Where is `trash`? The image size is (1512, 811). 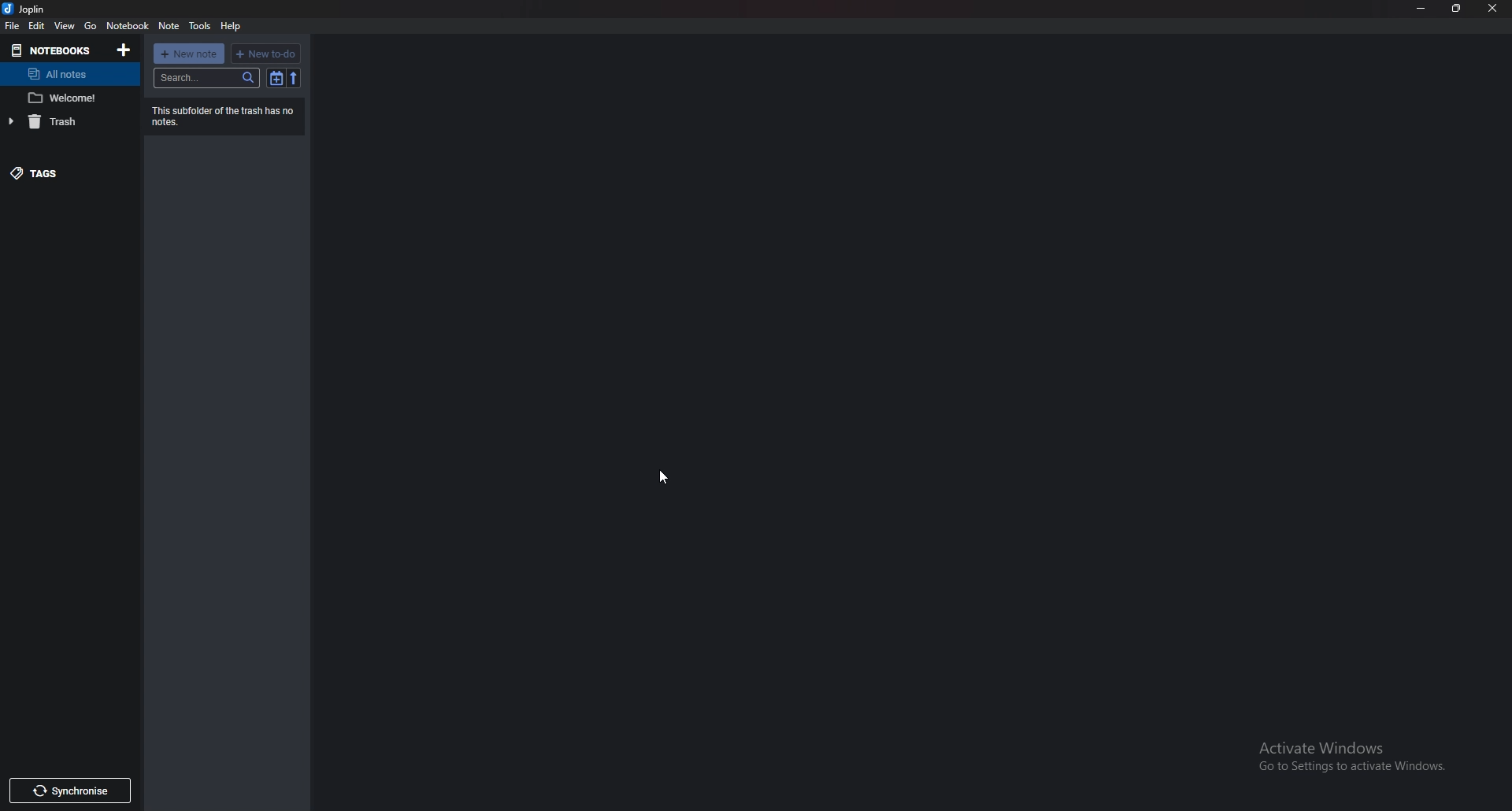
trash is located at coordinates (68, 120).